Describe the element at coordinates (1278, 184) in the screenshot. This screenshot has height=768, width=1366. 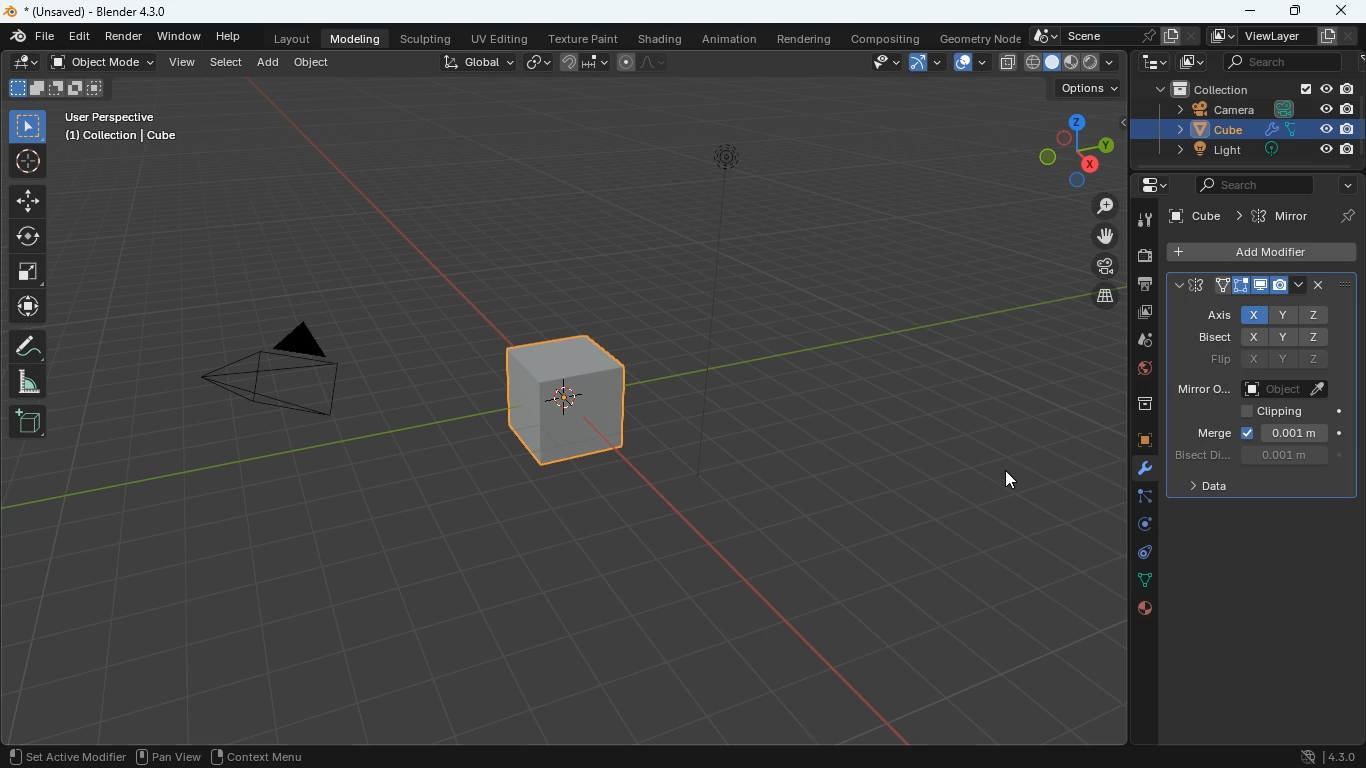
I see `search` at that location.